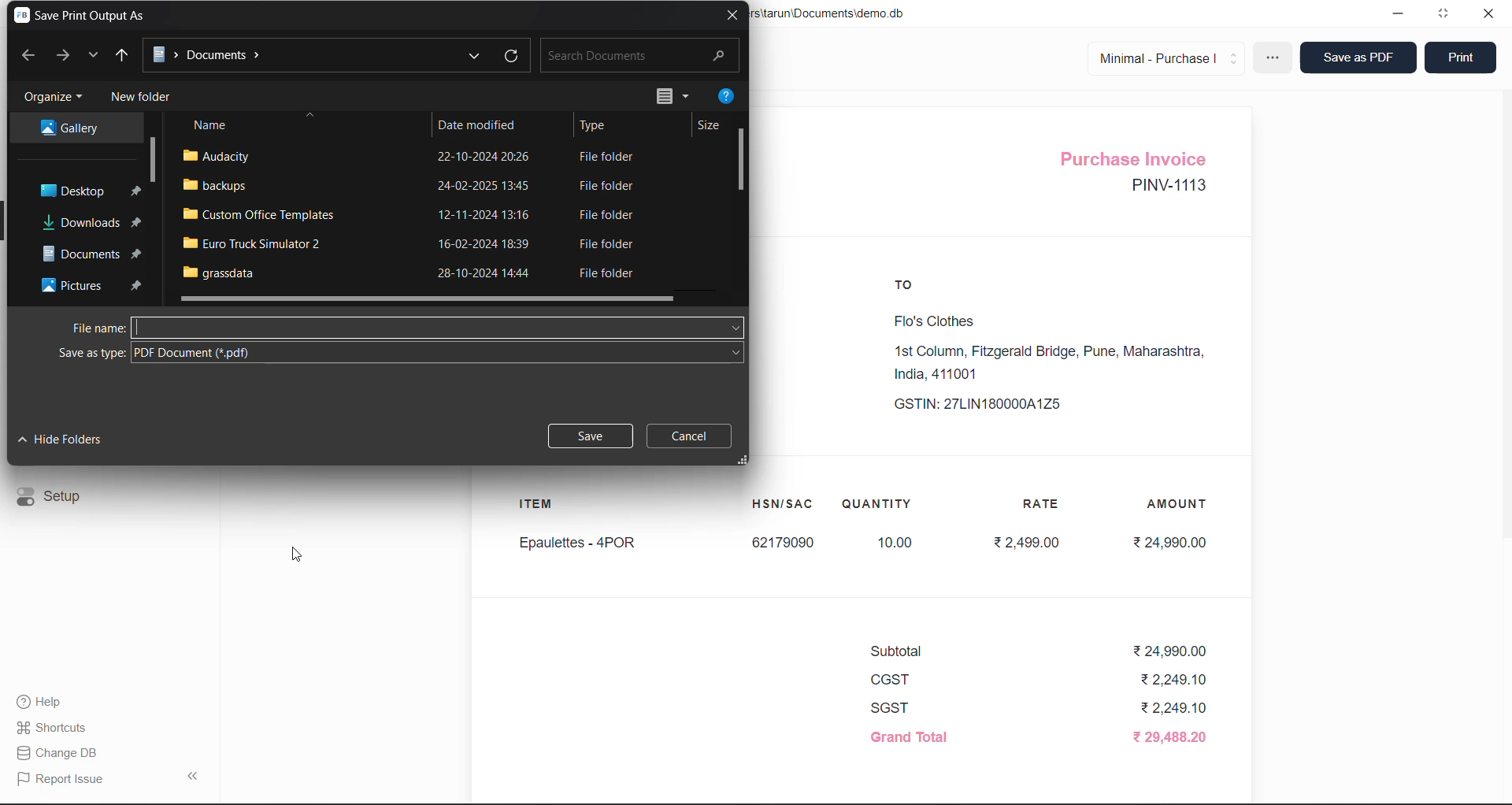 Image resolution: width=1512 pixels, height=805 pixels. I want to click on Euro Truck Simulator 2, so click(258, 242).